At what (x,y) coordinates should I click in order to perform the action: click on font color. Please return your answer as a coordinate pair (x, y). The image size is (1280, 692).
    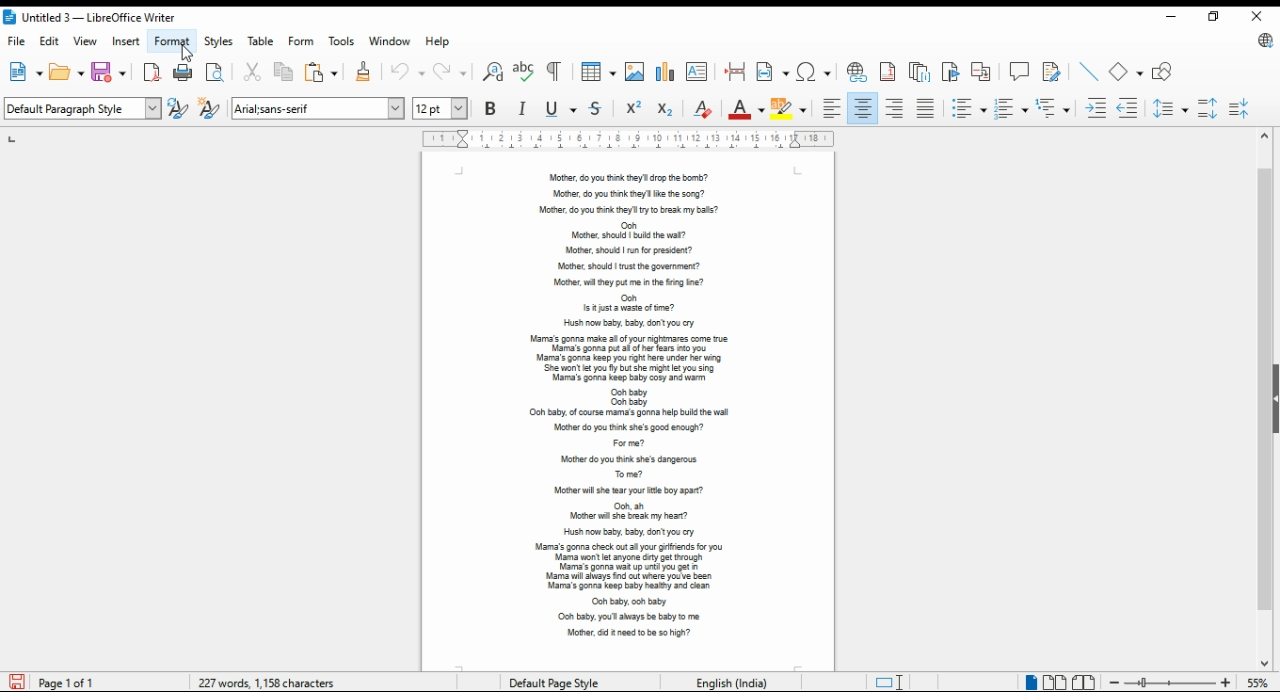
    Looking at the image, I should click on (746, 108).